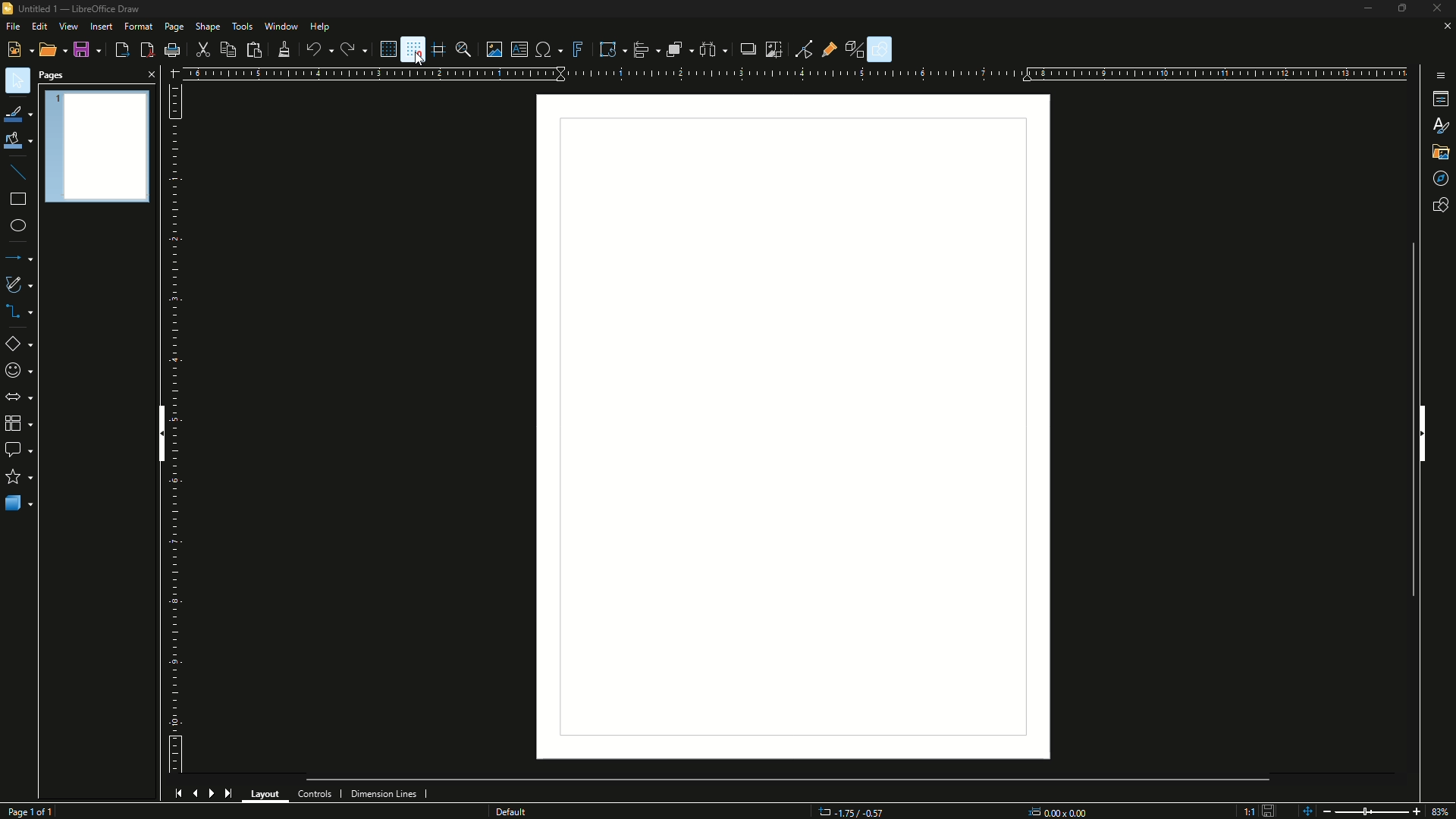 The image size is (1456, 819). Describe the element at coordinates (849, 809) in the screenshot. I see `Coordinates` at that location.